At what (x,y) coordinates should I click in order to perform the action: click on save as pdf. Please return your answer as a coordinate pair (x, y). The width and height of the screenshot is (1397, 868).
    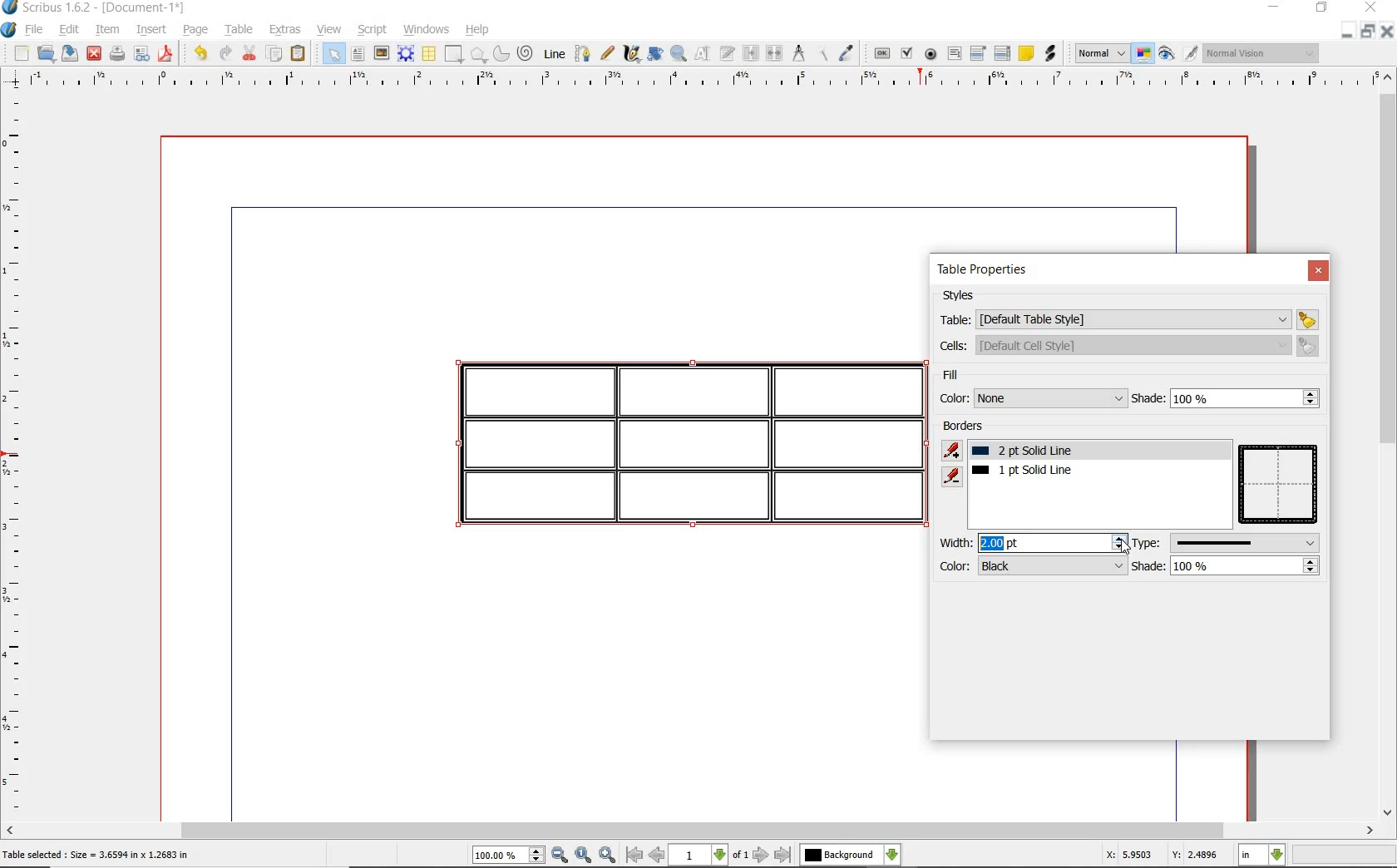
    Looking at the image, I should click on (167, 55).